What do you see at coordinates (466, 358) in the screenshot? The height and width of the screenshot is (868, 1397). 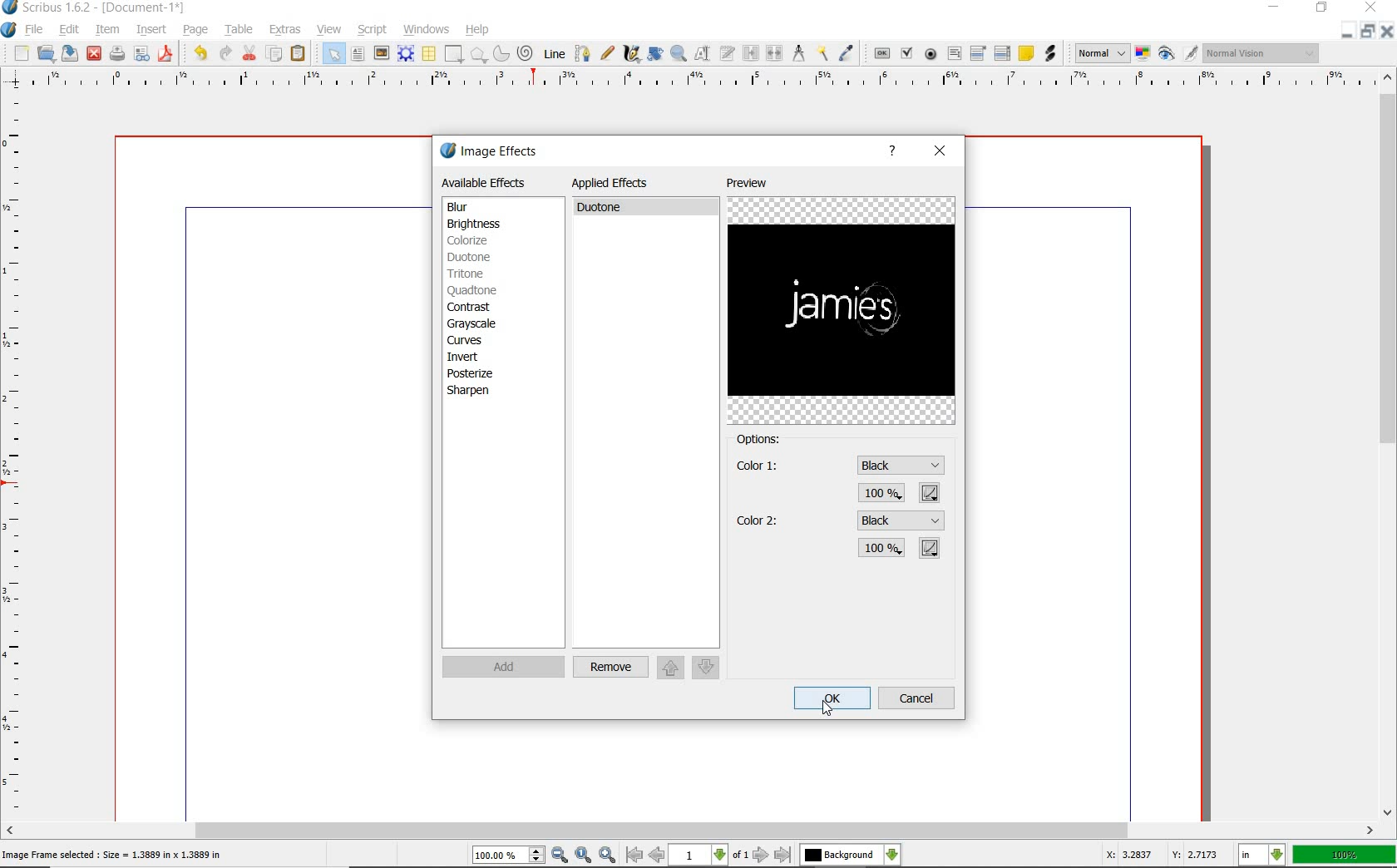 I see `invert` at bounding box center [466, 358].